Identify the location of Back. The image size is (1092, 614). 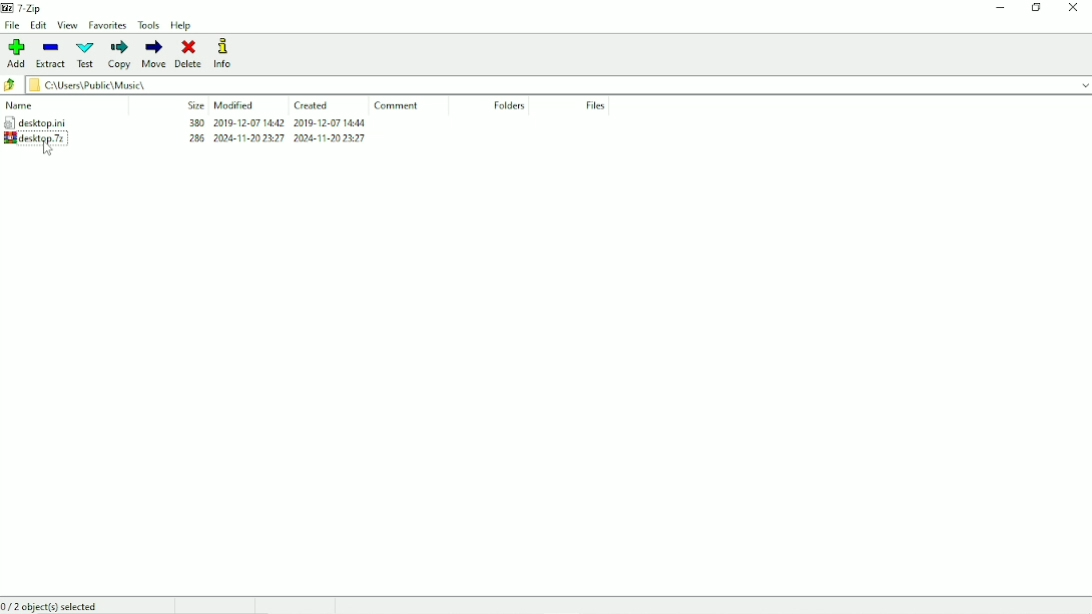
(11, 85).